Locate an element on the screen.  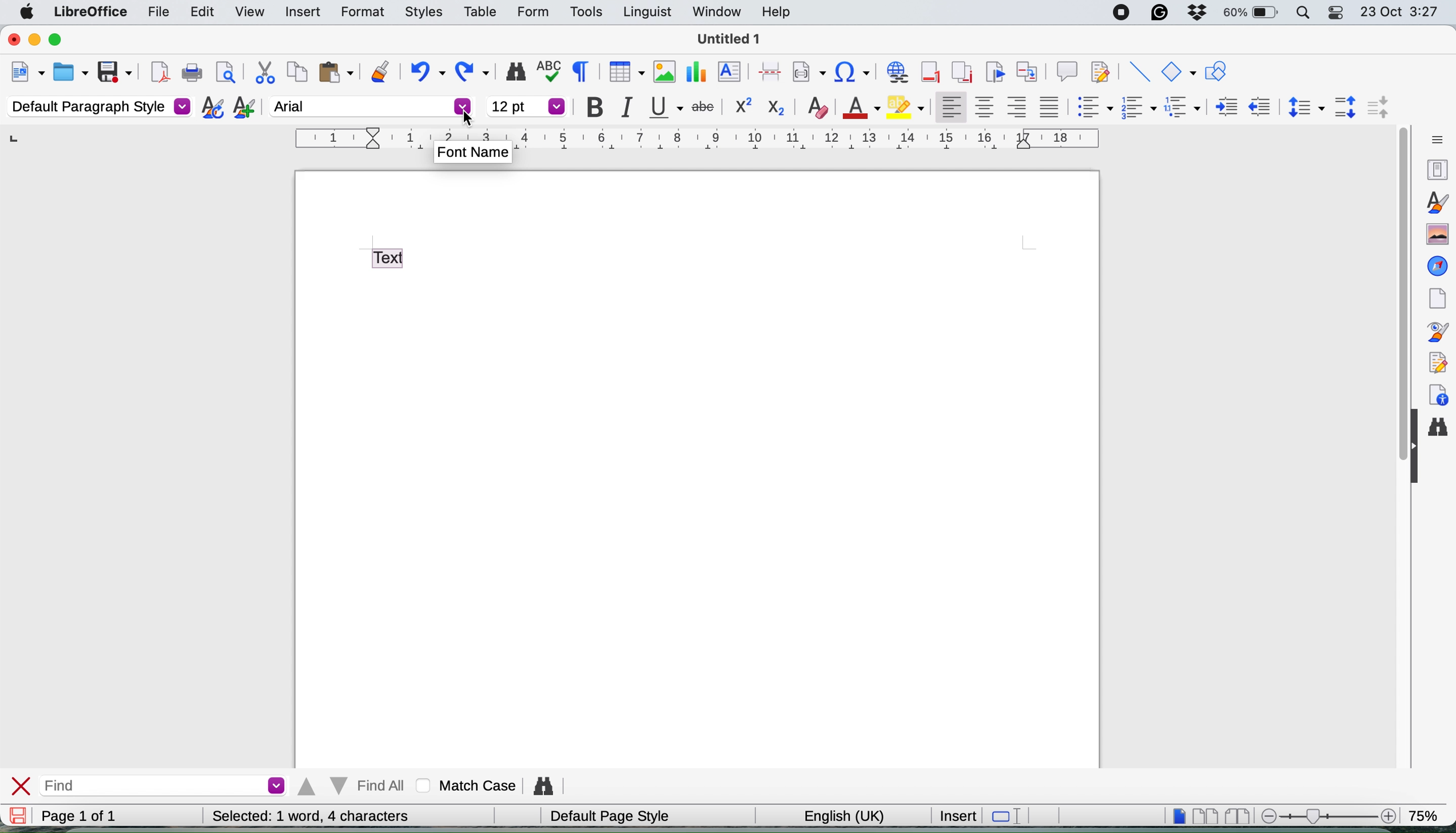
file is located at coordinates (153, 13).